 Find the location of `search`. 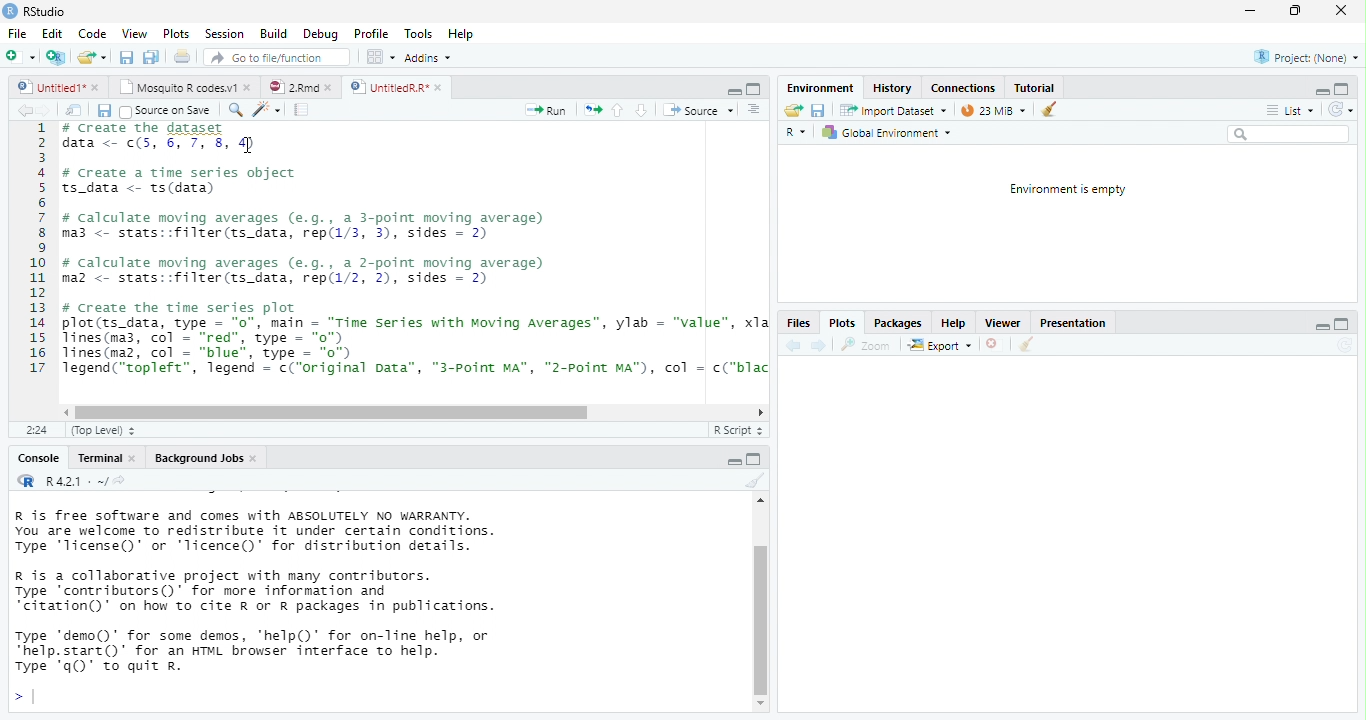

search is located at coordinates (1288, 134).